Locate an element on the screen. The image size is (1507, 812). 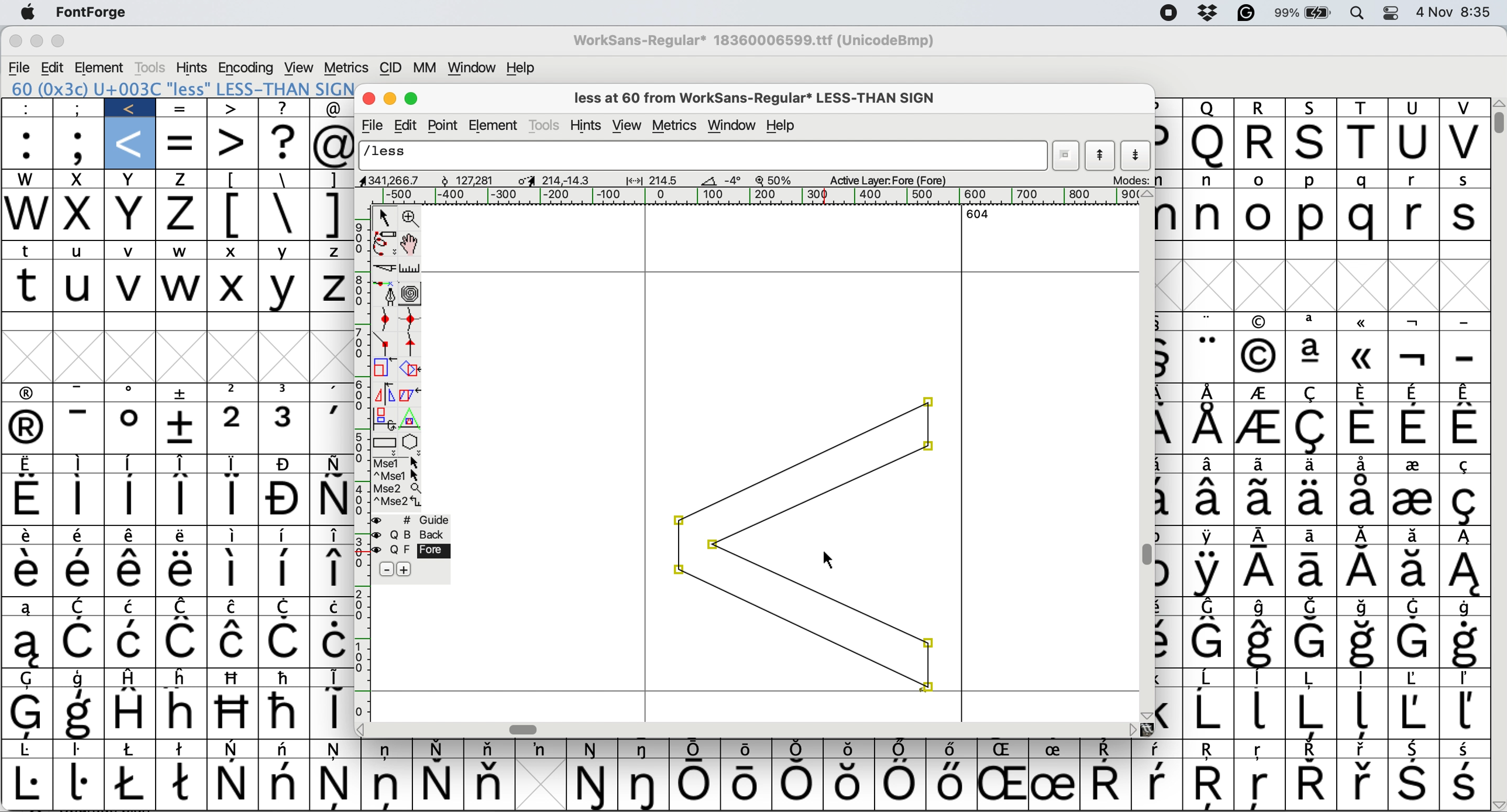
Symbol is located at coordinates (440, 748).